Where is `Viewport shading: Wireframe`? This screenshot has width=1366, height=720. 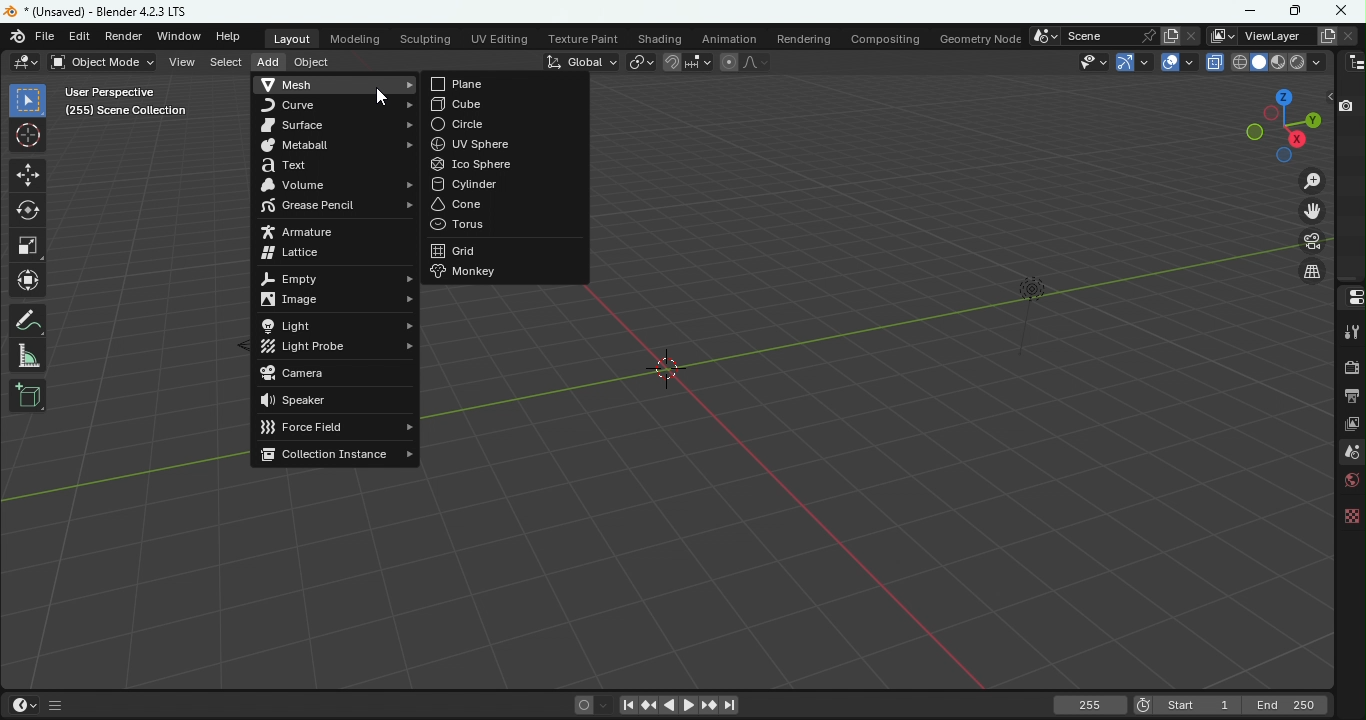 Viewport shading: Wireframe is located at coordinates (1239, 61).